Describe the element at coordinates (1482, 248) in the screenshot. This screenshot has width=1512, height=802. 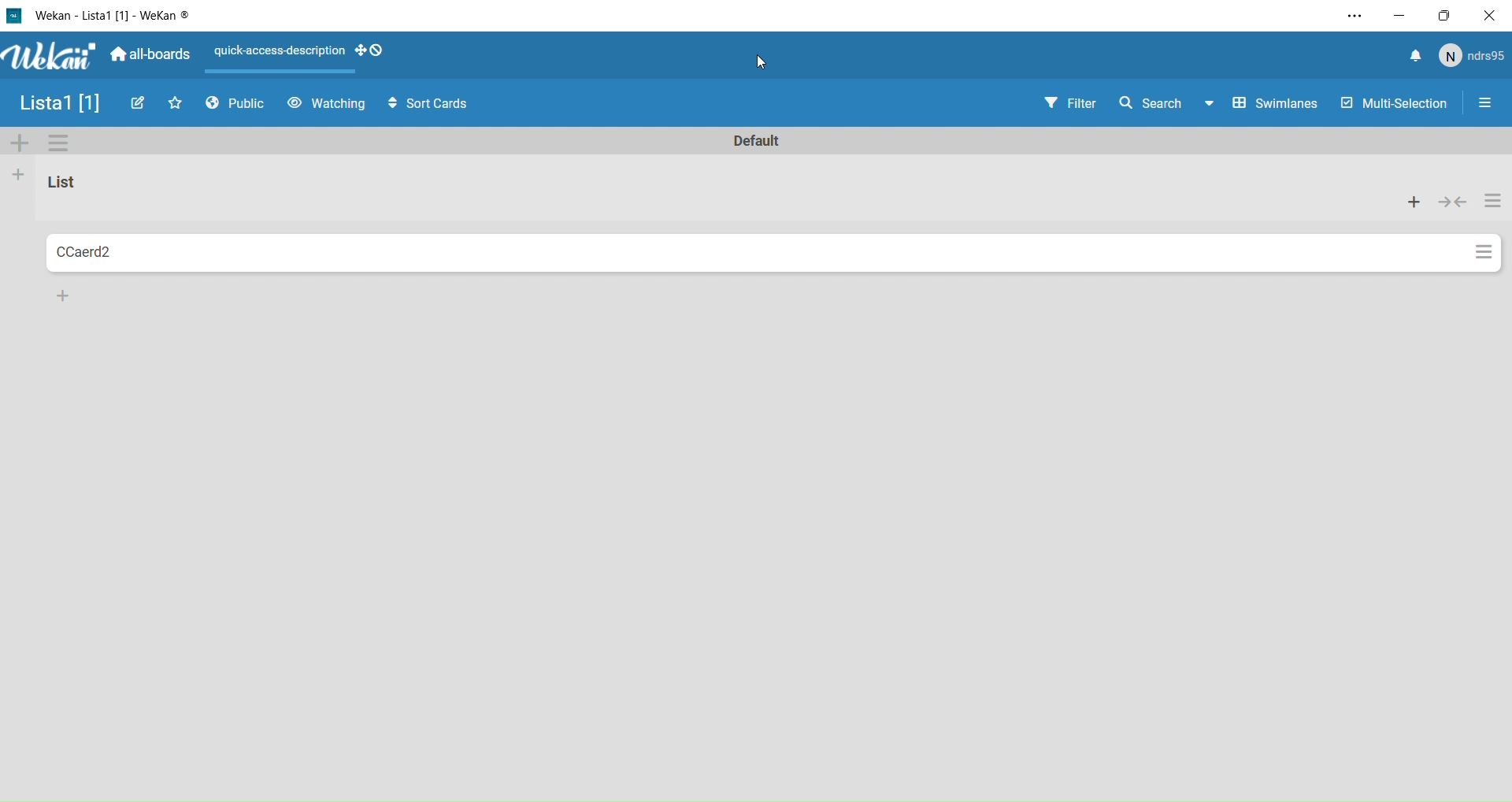
I see `Settings` at that location.